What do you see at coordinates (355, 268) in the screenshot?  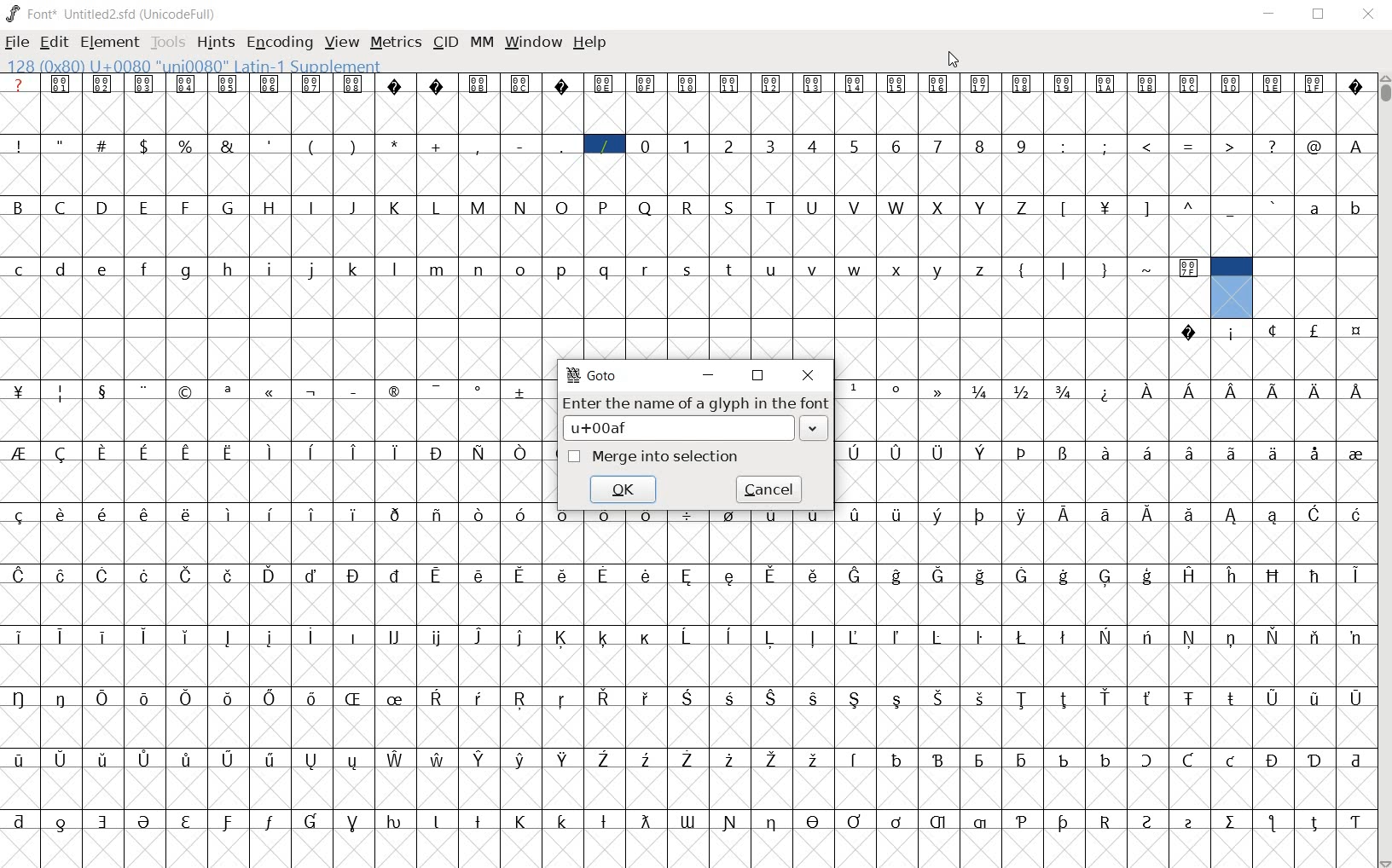 I see `k` at bounding box center [355, 268].